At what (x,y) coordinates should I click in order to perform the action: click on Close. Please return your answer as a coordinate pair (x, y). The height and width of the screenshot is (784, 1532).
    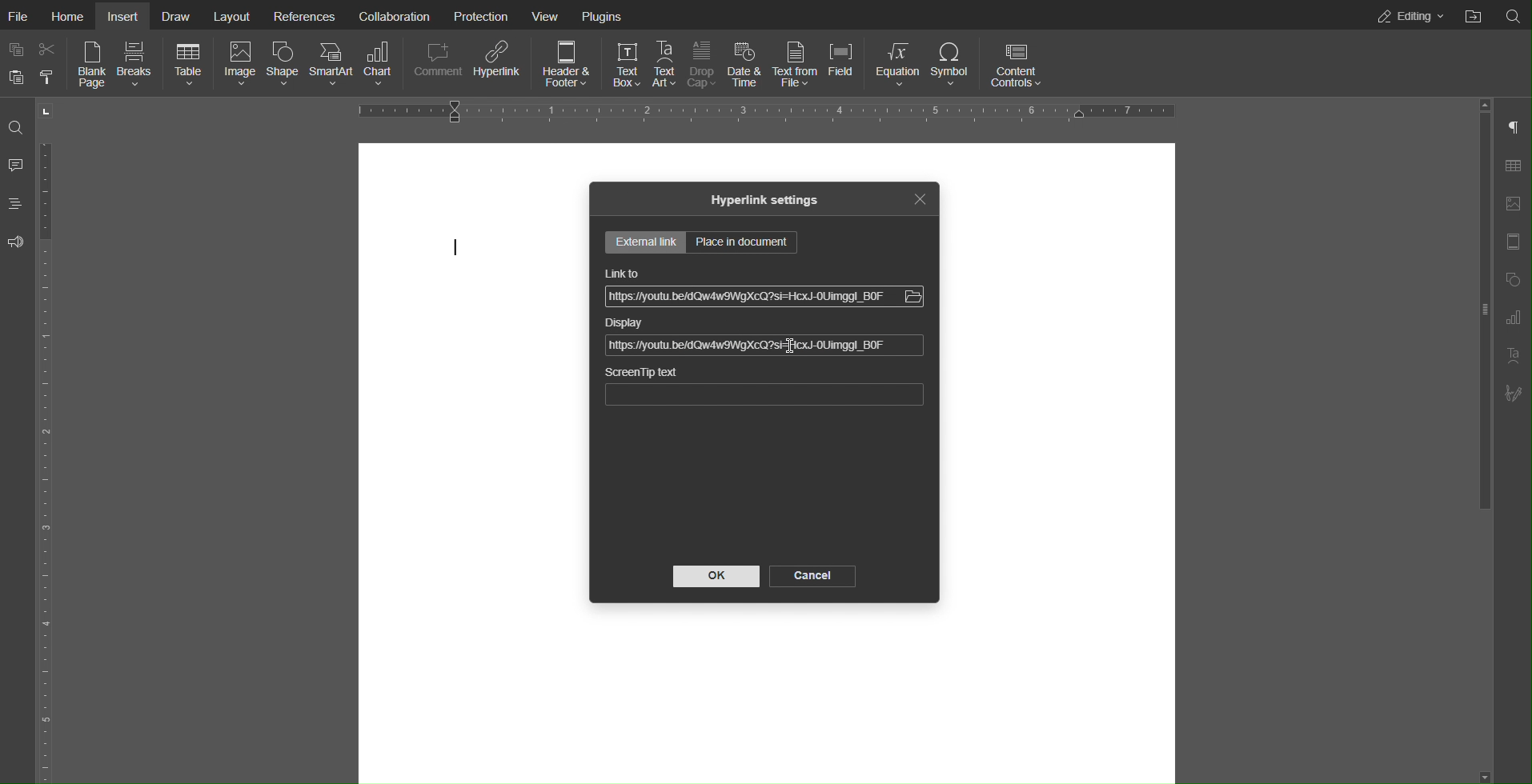
    Looking at the image, I should click on (923, 199).